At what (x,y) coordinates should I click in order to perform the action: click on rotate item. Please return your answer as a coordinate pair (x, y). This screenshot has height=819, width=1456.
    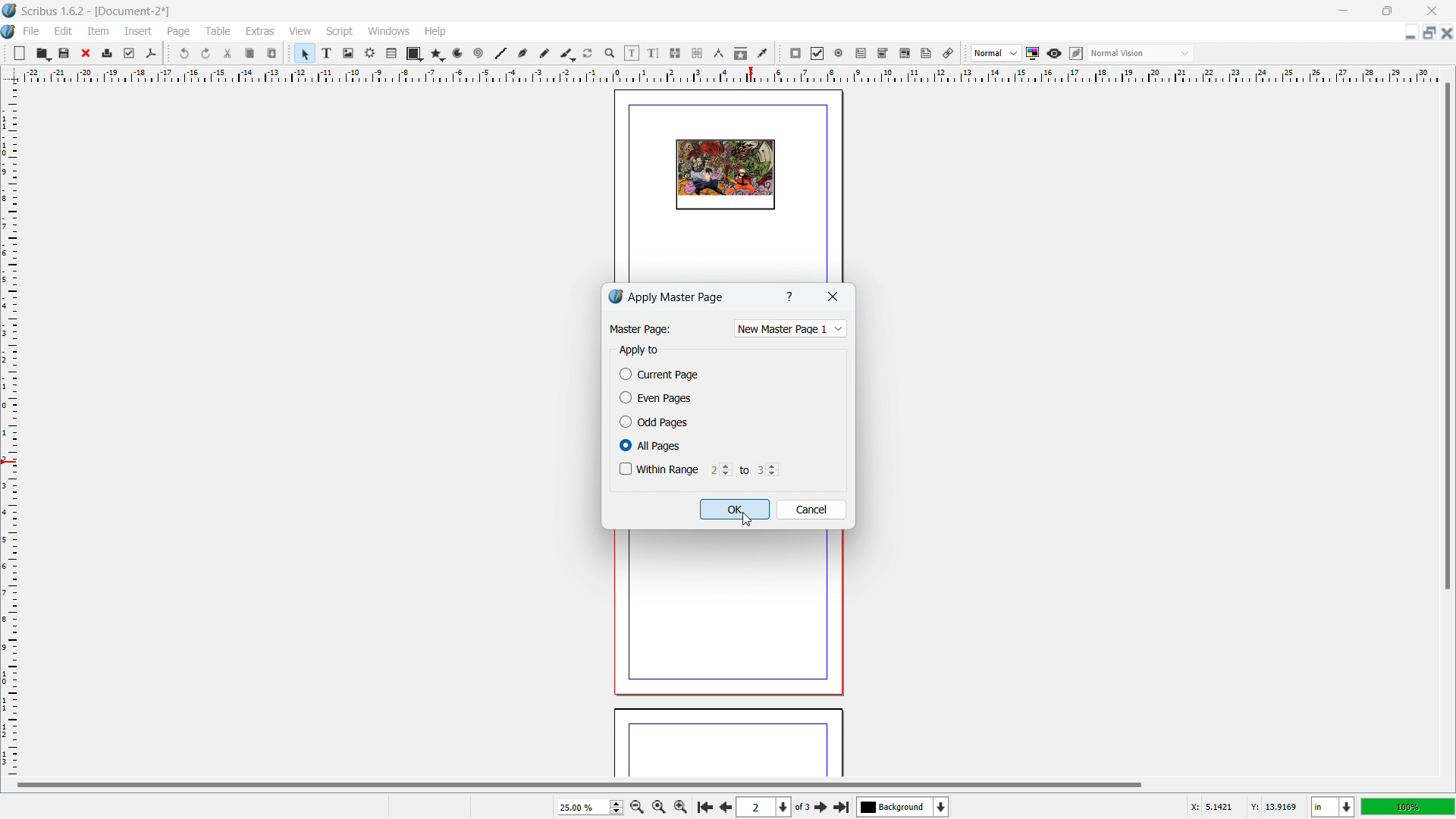
    Looking at the image, I should click on (588, 54).